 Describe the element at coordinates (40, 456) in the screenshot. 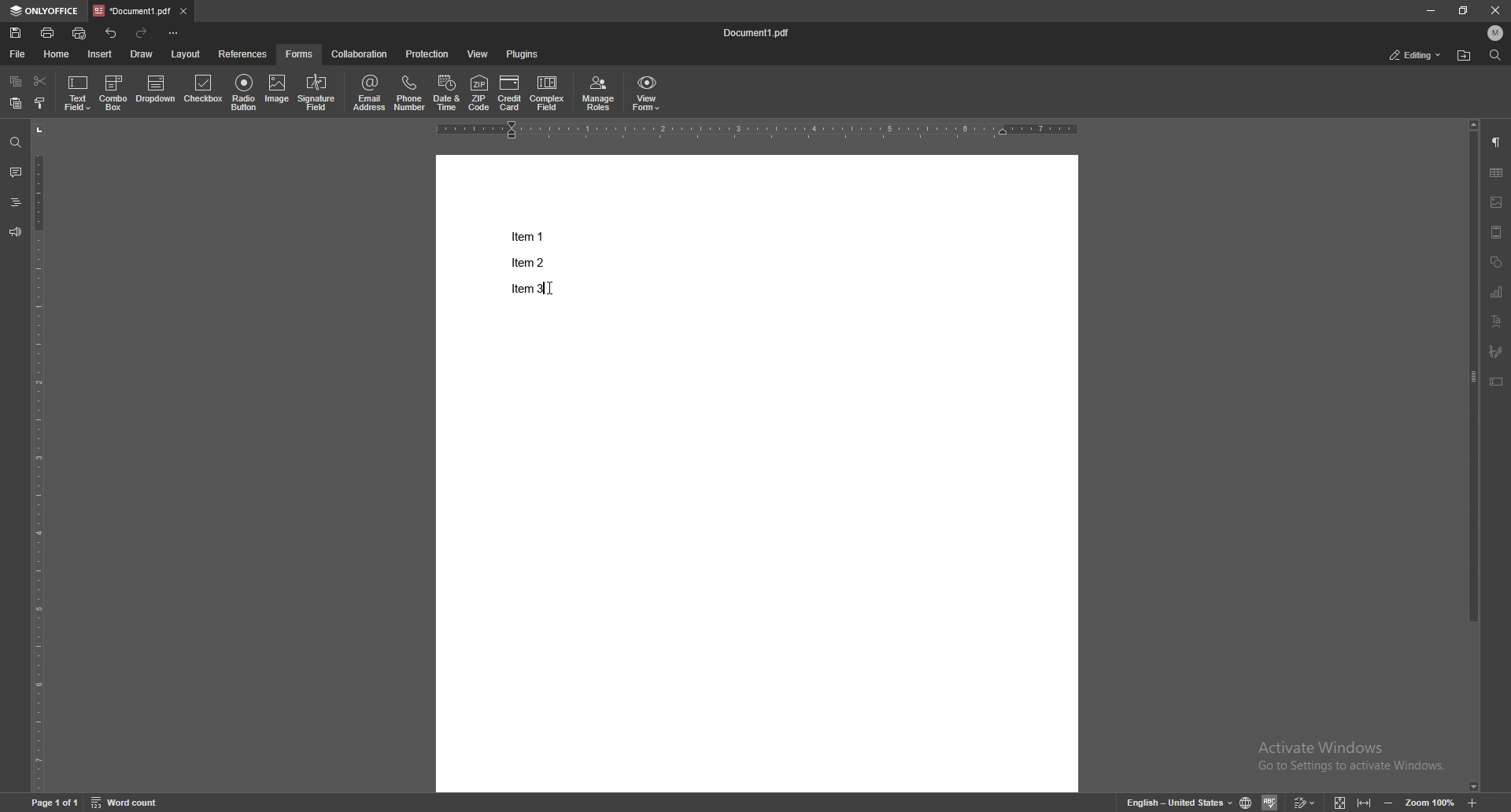

I see `vertical scale` at that location.